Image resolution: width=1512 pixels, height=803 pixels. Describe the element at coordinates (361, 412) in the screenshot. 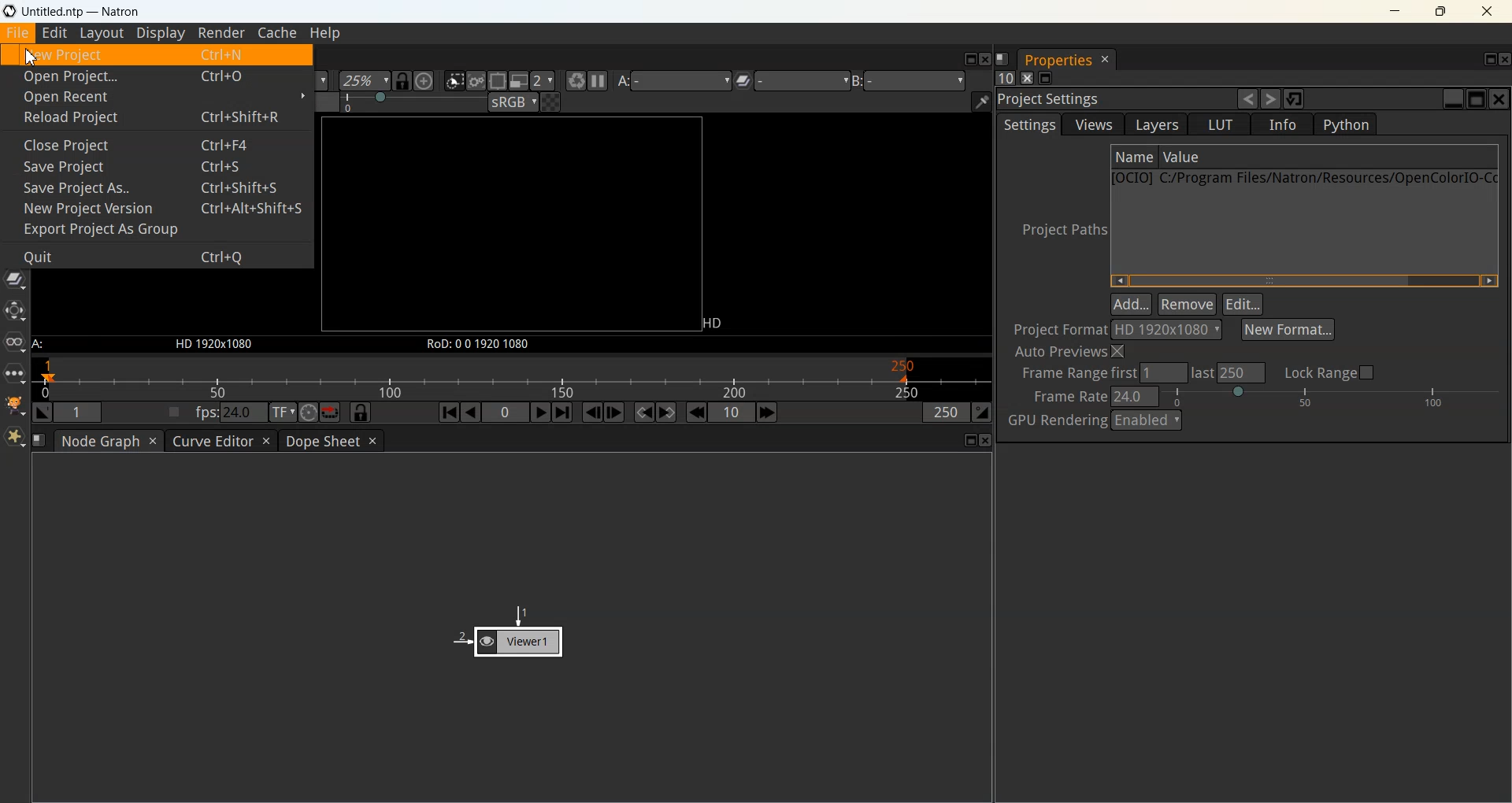

I see `Lock Timeline` at that location.